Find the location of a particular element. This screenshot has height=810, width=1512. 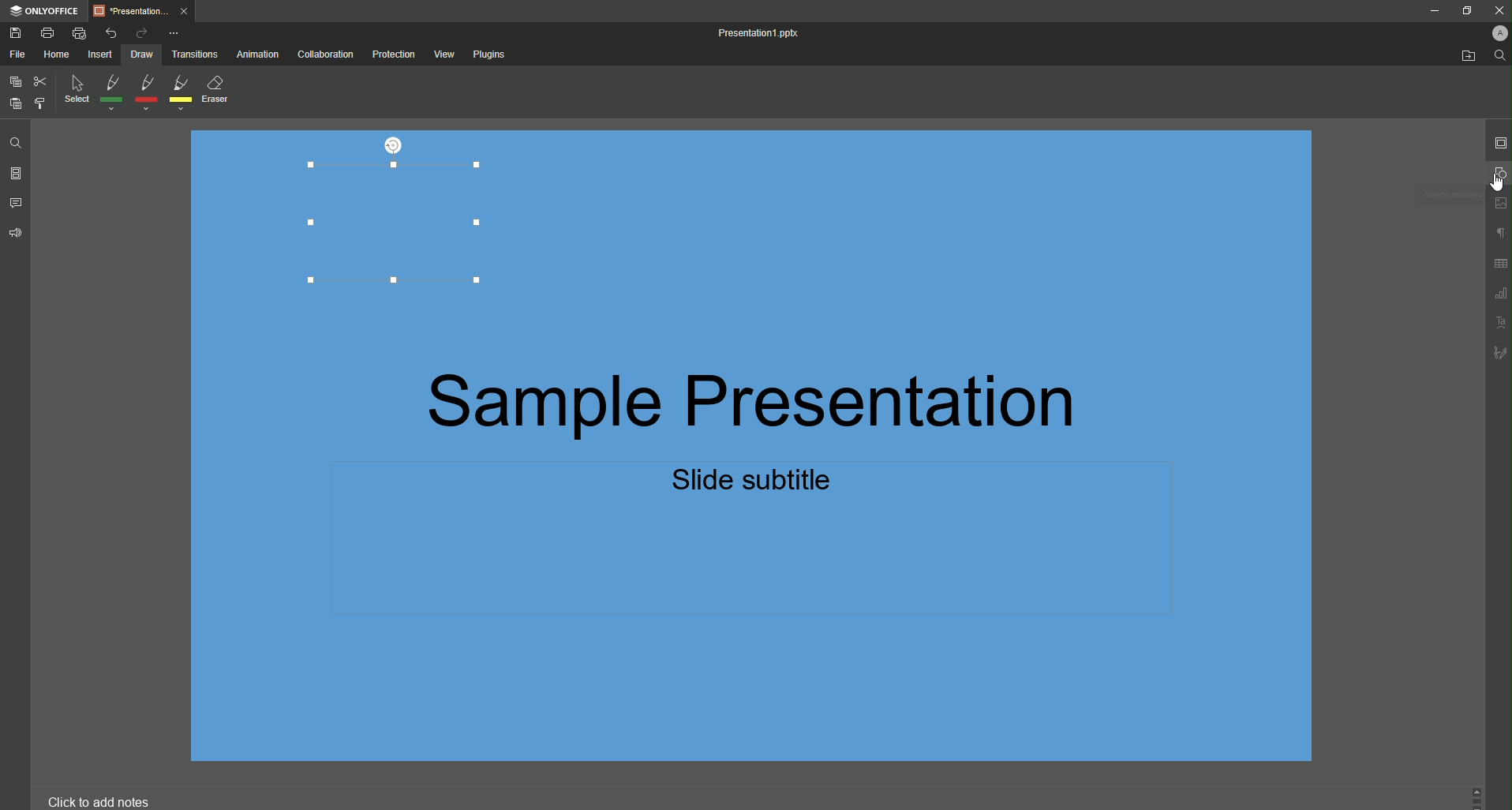

Paste is located at coordinates (15, 103).